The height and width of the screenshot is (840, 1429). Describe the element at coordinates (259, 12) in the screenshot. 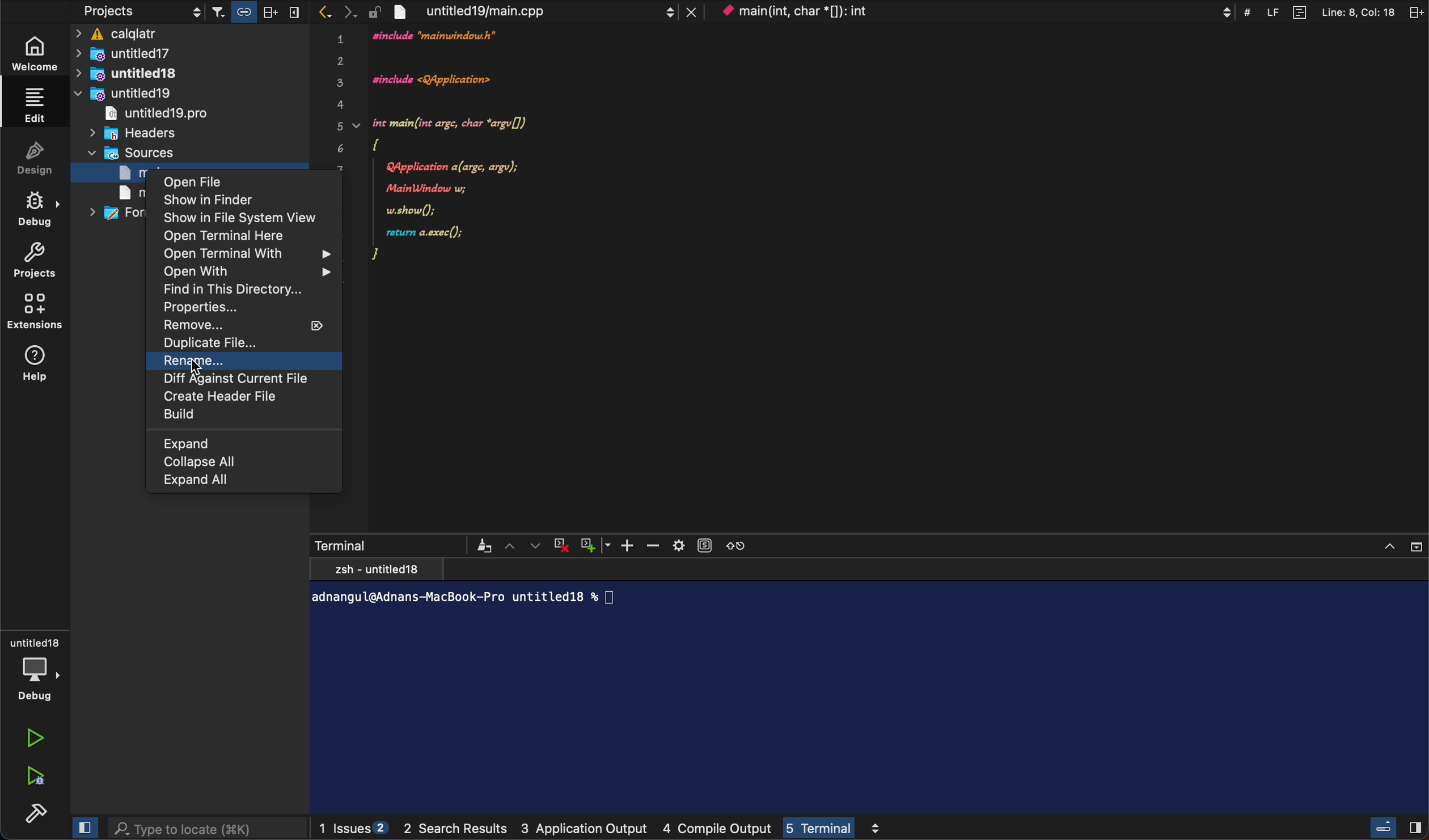

I see `` at that location.